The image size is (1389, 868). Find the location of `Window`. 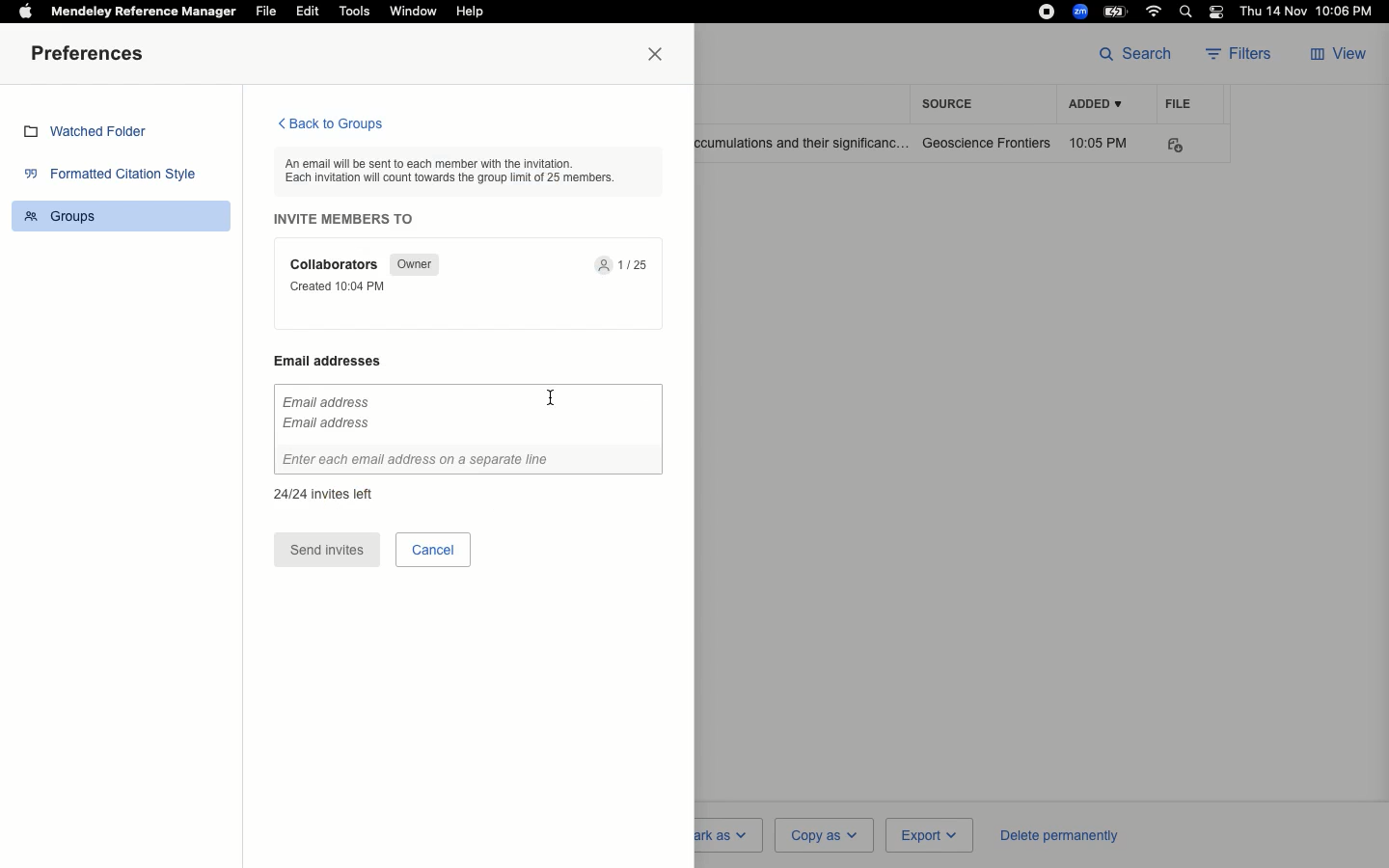

Window is located at coordinates (412, 12).